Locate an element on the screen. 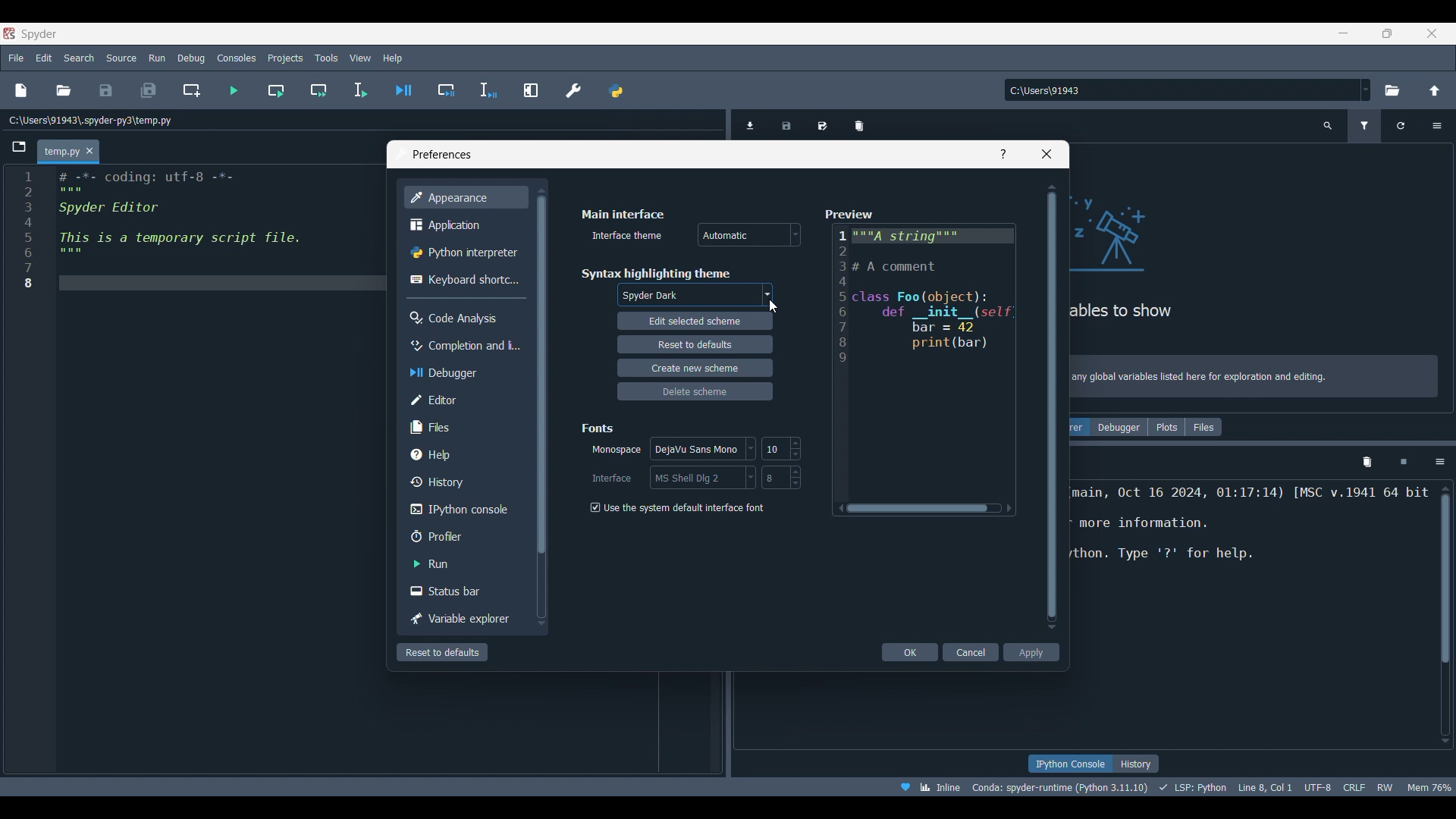 This screenshot has height=819, width=1456. Indicates interface theme is located at coordinates (628, 235).